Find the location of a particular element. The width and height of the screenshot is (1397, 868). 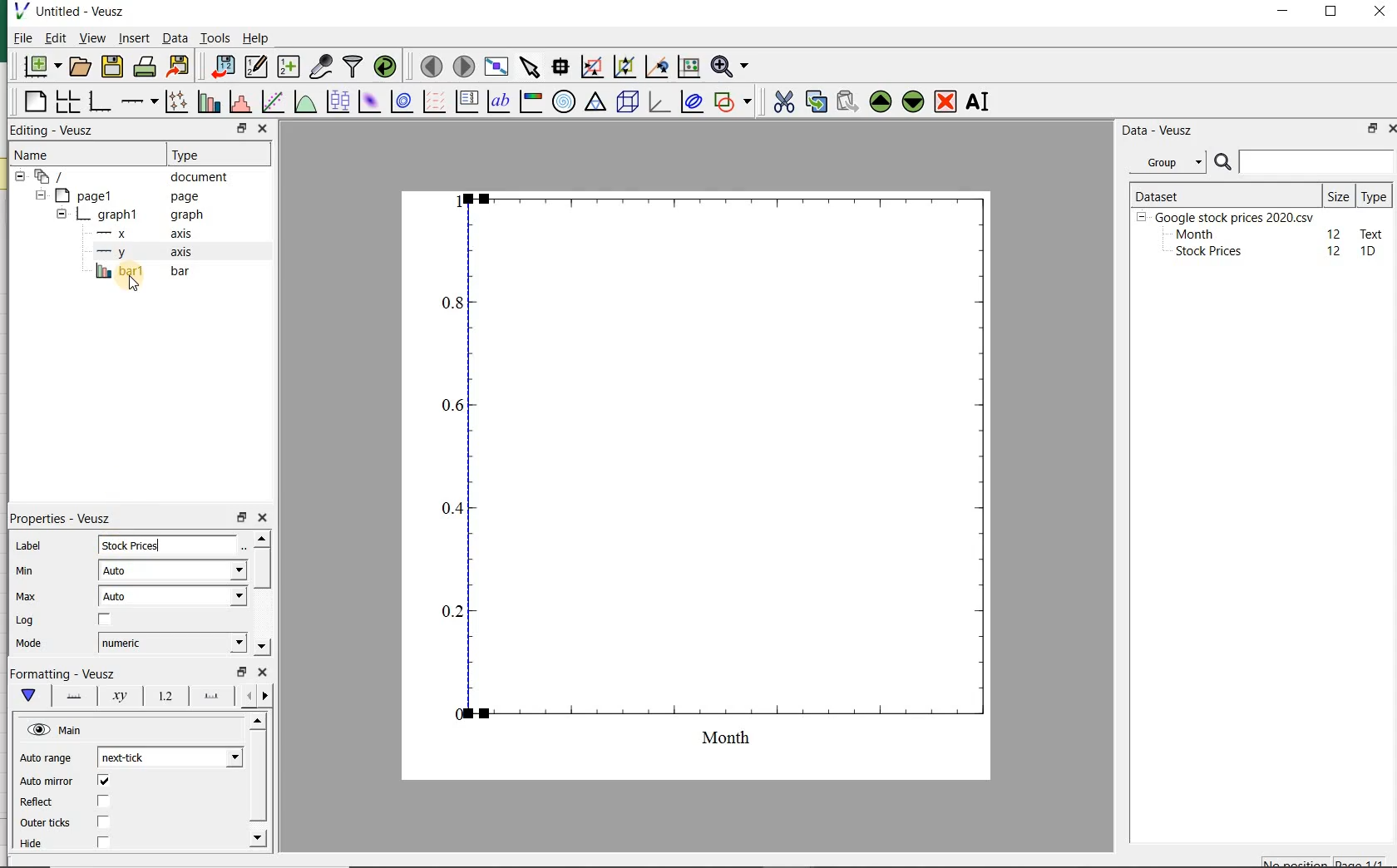

plot a function is located at coordinates (304, 103).